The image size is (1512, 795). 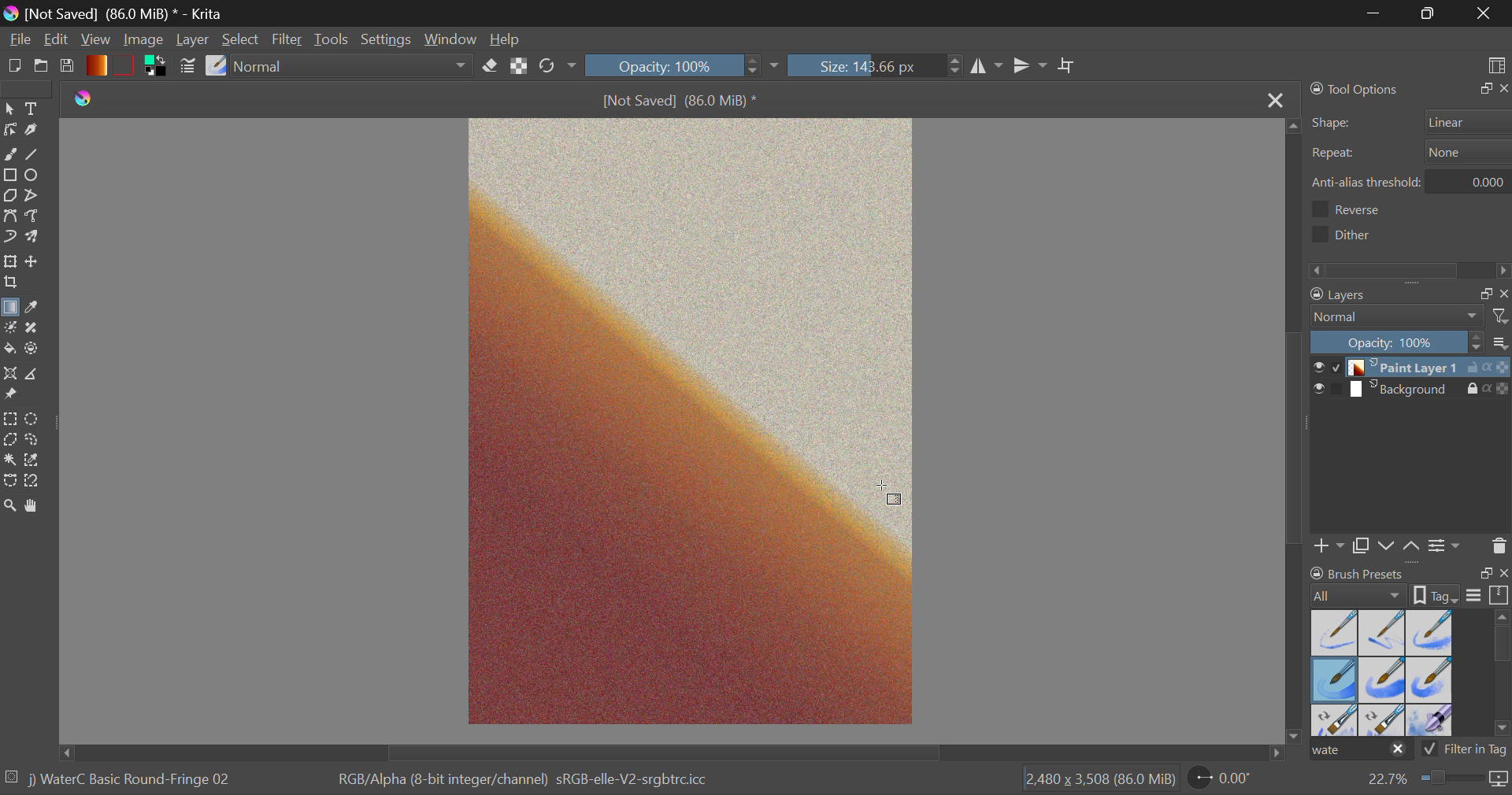 I want to click on Pan, so click(x=37, y=507).